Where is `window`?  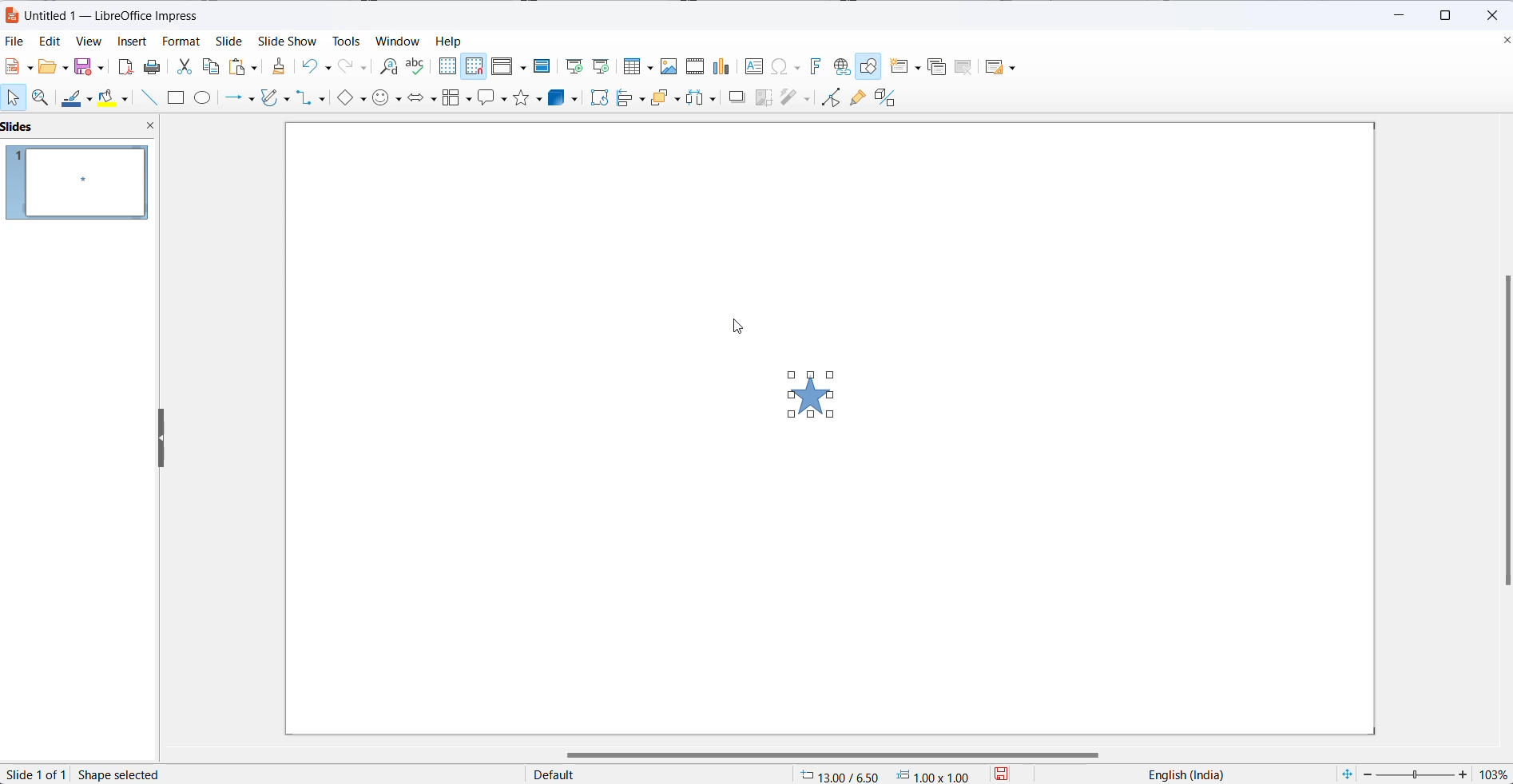 window is located at coordinates (398, 42).